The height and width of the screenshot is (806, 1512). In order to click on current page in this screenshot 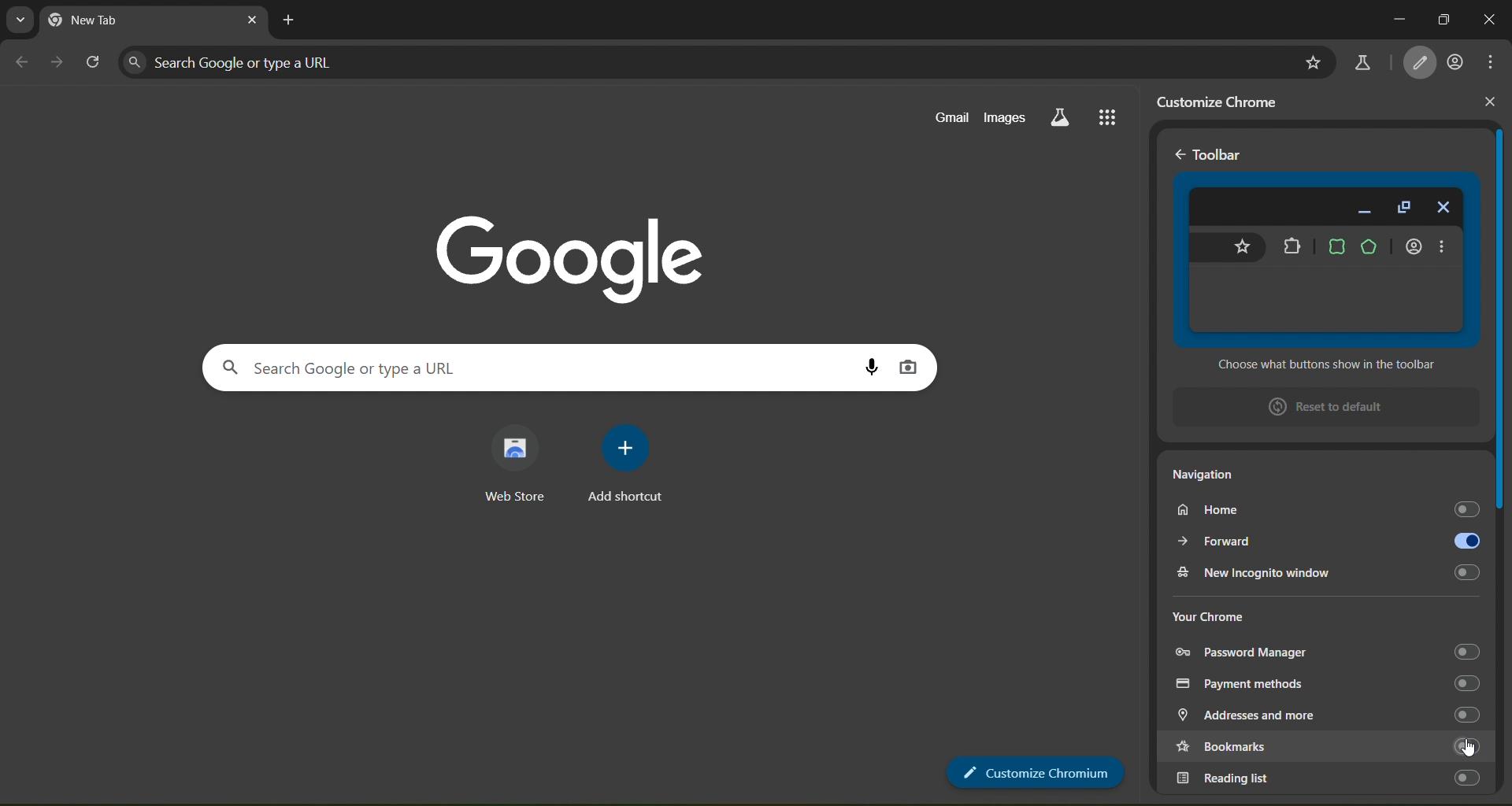, I will do `click(136, 20)`.